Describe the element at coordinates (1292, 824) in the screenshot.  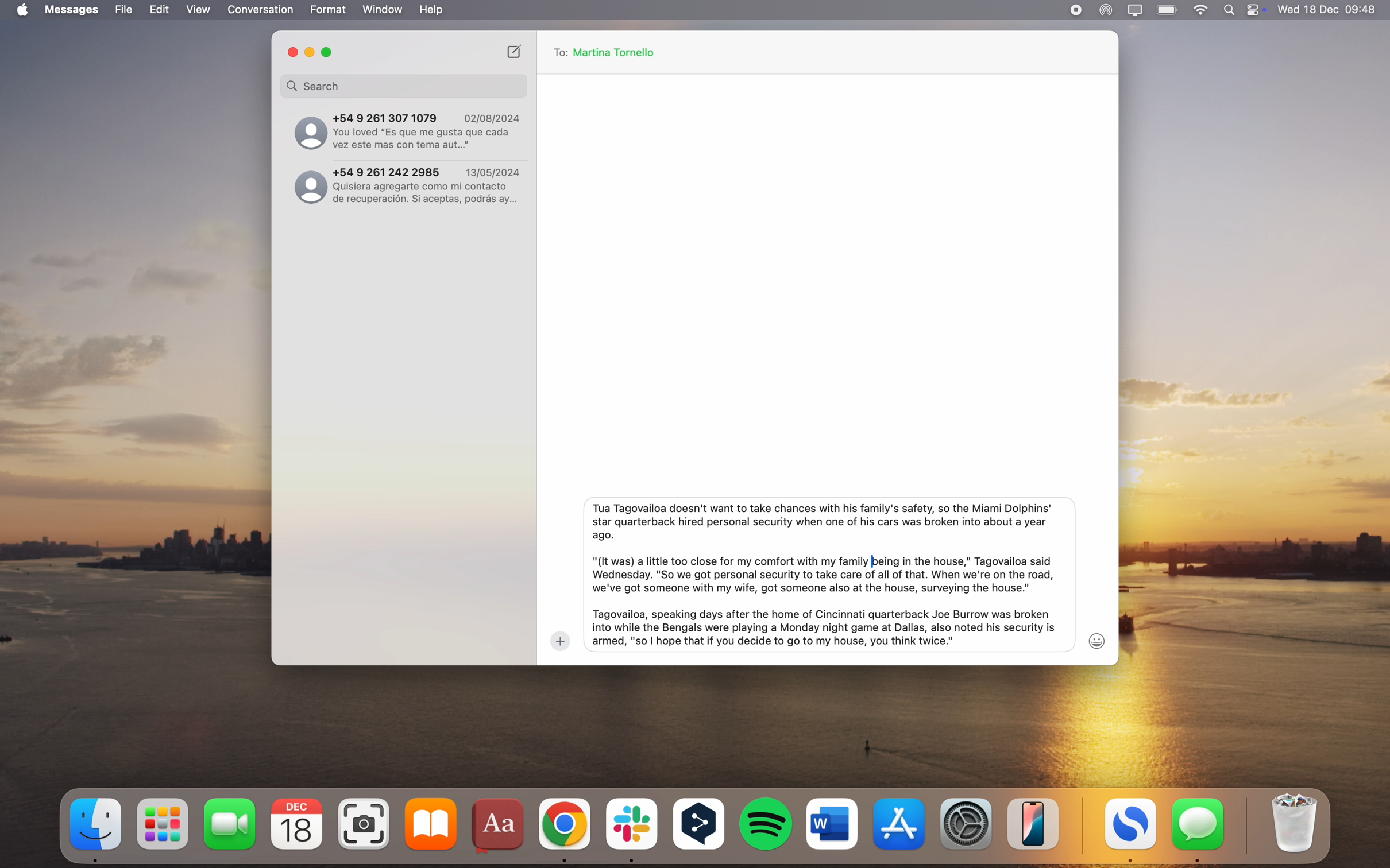
I see `trash` at that location.